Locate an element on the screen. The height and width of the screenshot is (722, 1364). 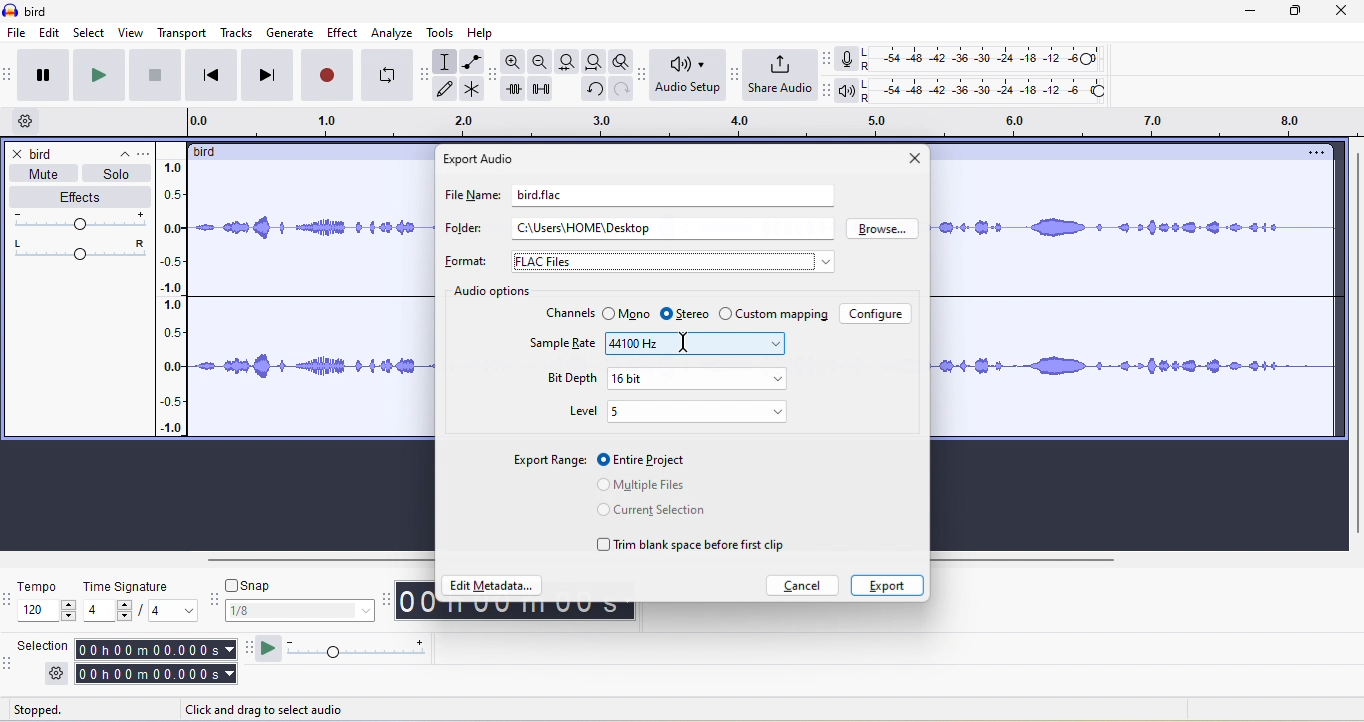
play at speed is located at coordinates (265, 651).